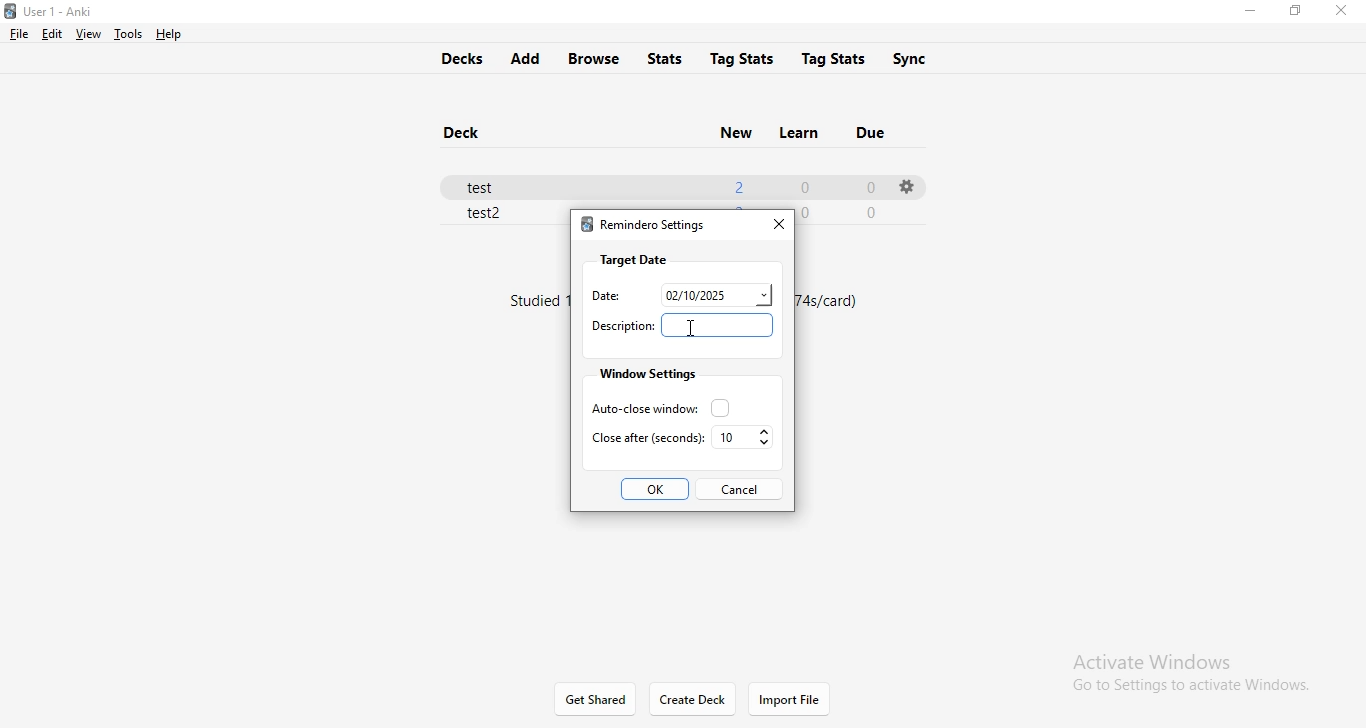 The height and width of the screenshot is (728, 1366). What do you see at coordinates (1294, 11) in the screenshot?
I see `restore` at bounding box center [1294, 11].